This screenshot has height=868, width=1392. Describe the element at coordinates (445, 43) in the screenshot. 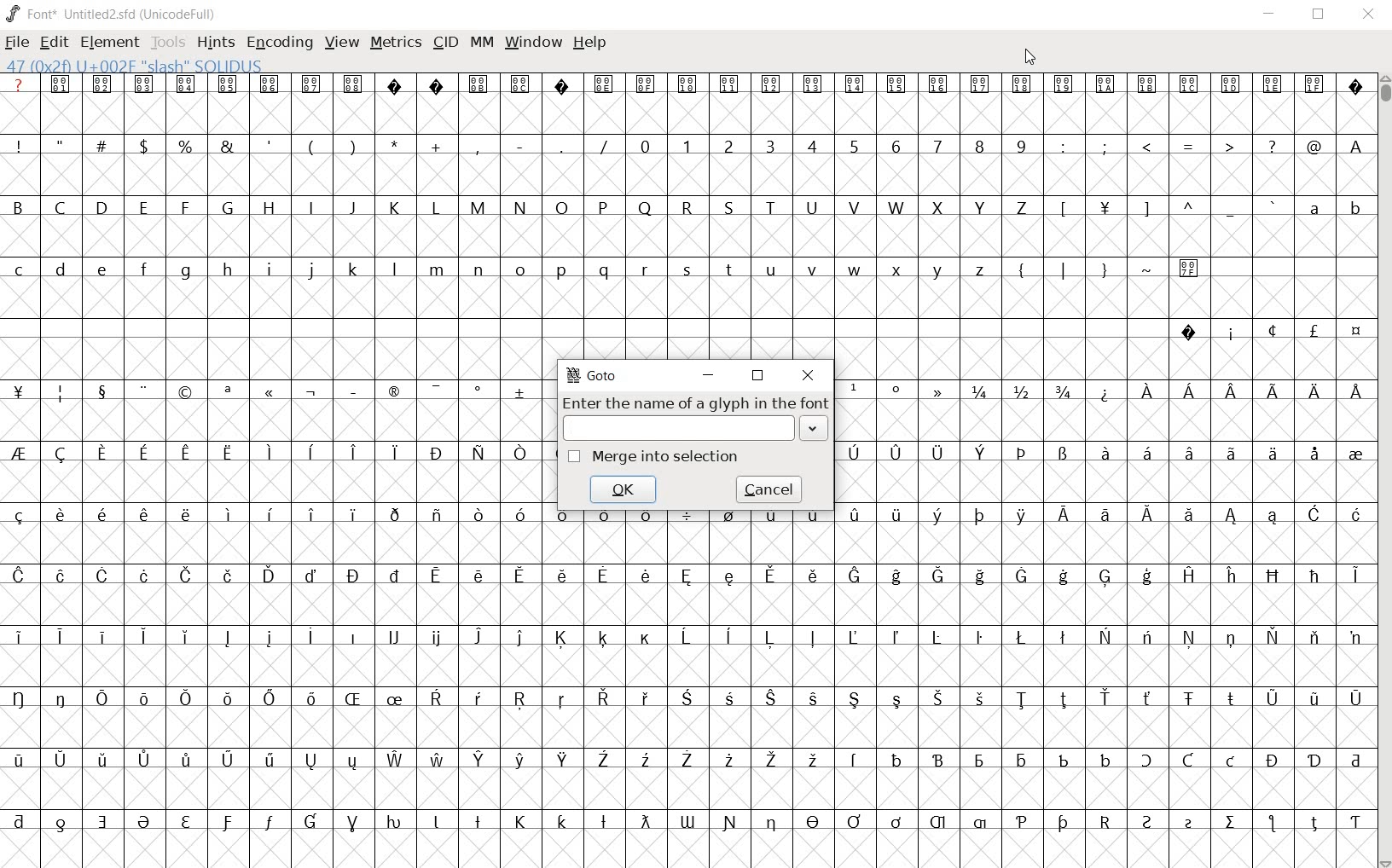

I see `CID` at that location.